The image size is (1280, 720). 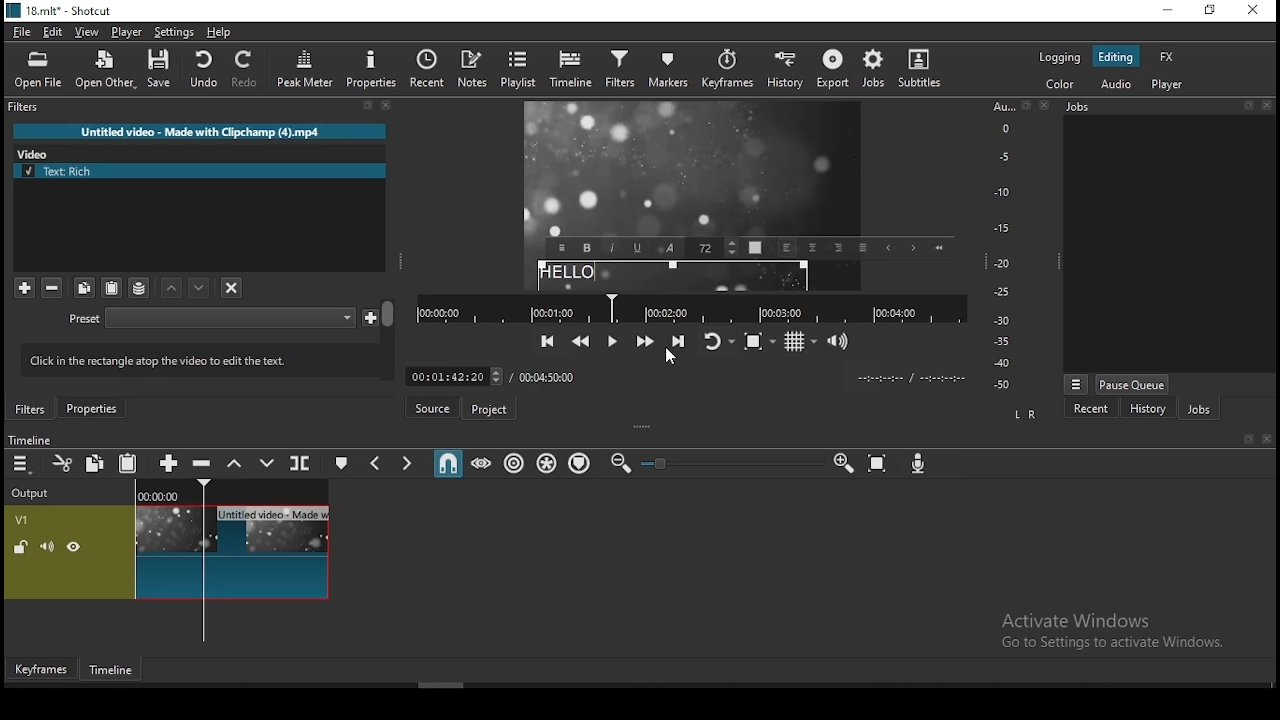 I want to click on properties, so click(x=91, y=408).